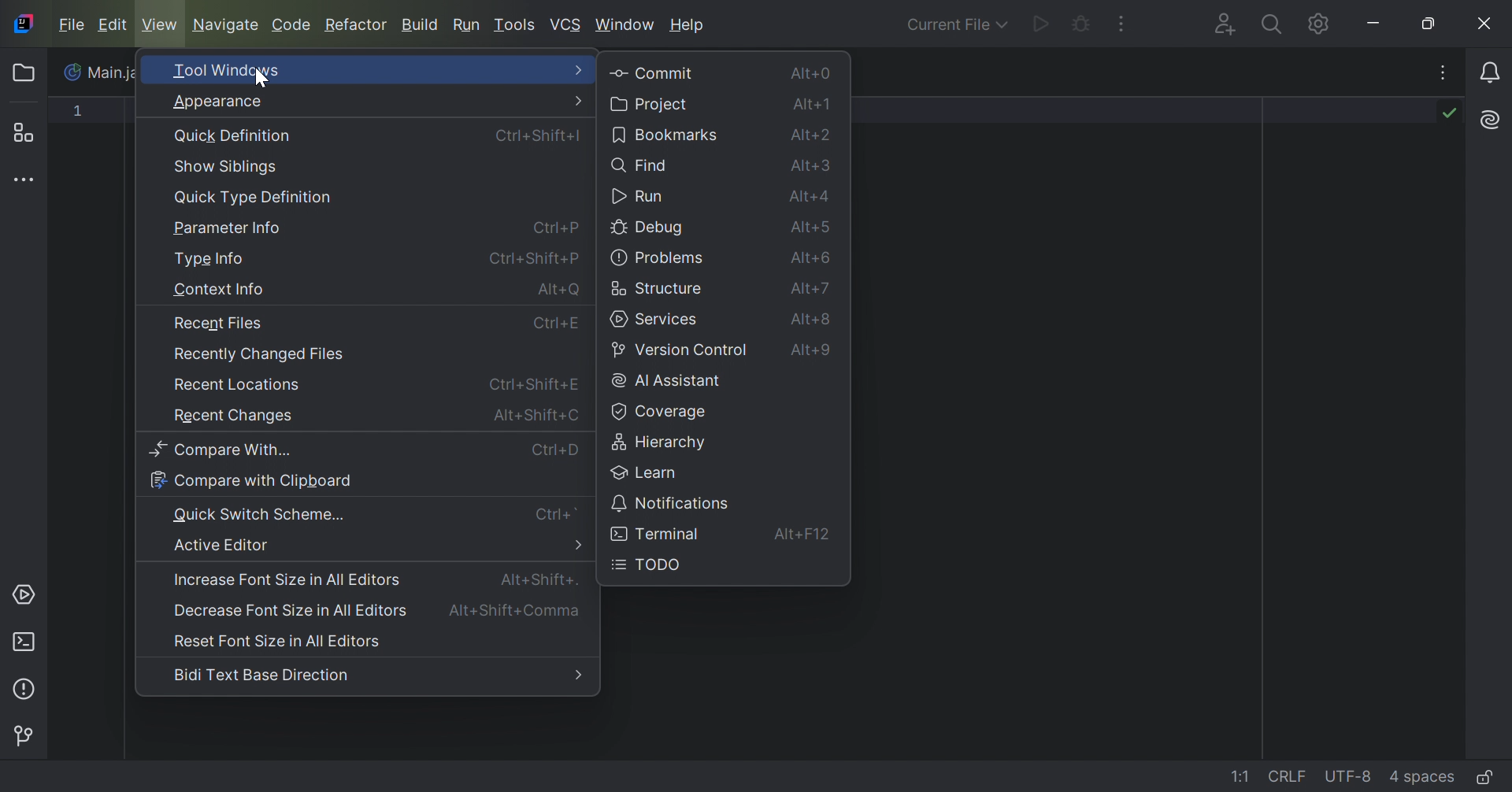 The image size is (1512, 792). I want to click on Bookmarks, so click(665, 134).